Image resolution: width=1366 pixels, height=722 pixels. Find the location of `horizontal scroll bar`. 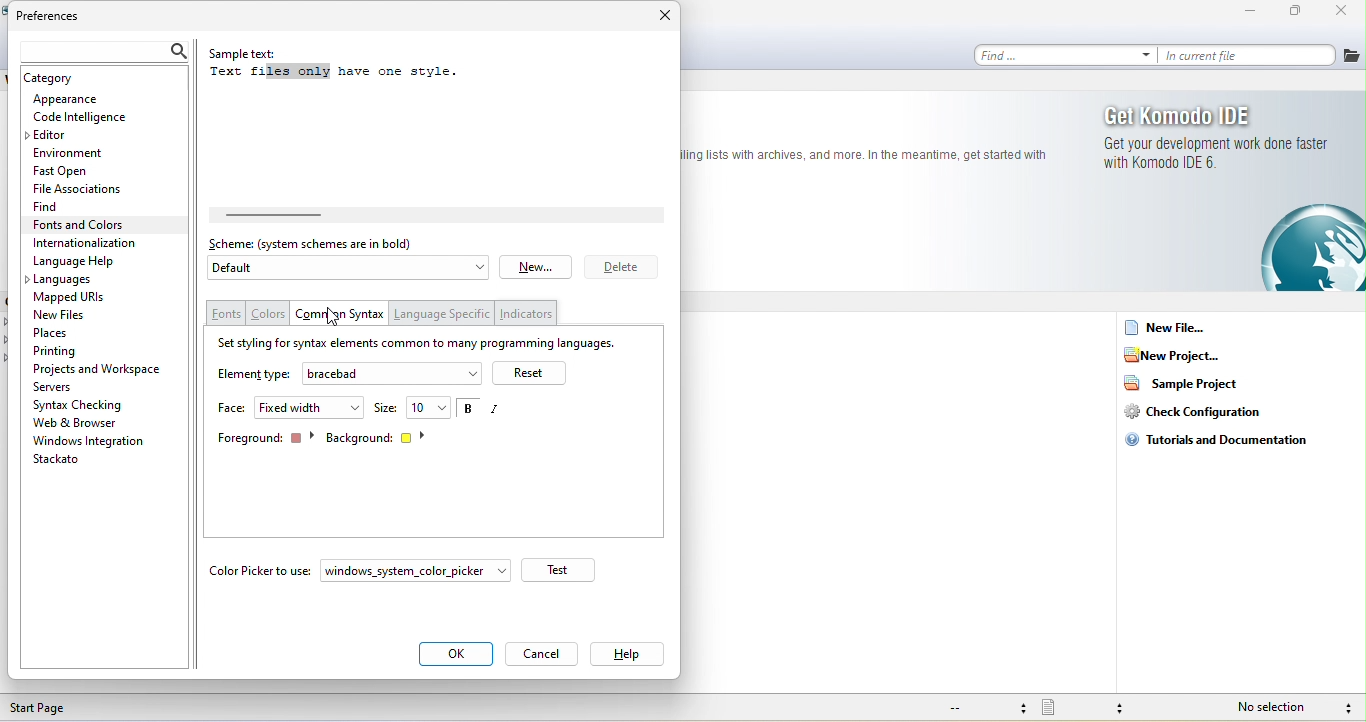

horizontal scroll bar is located at coordinates (302, 215).